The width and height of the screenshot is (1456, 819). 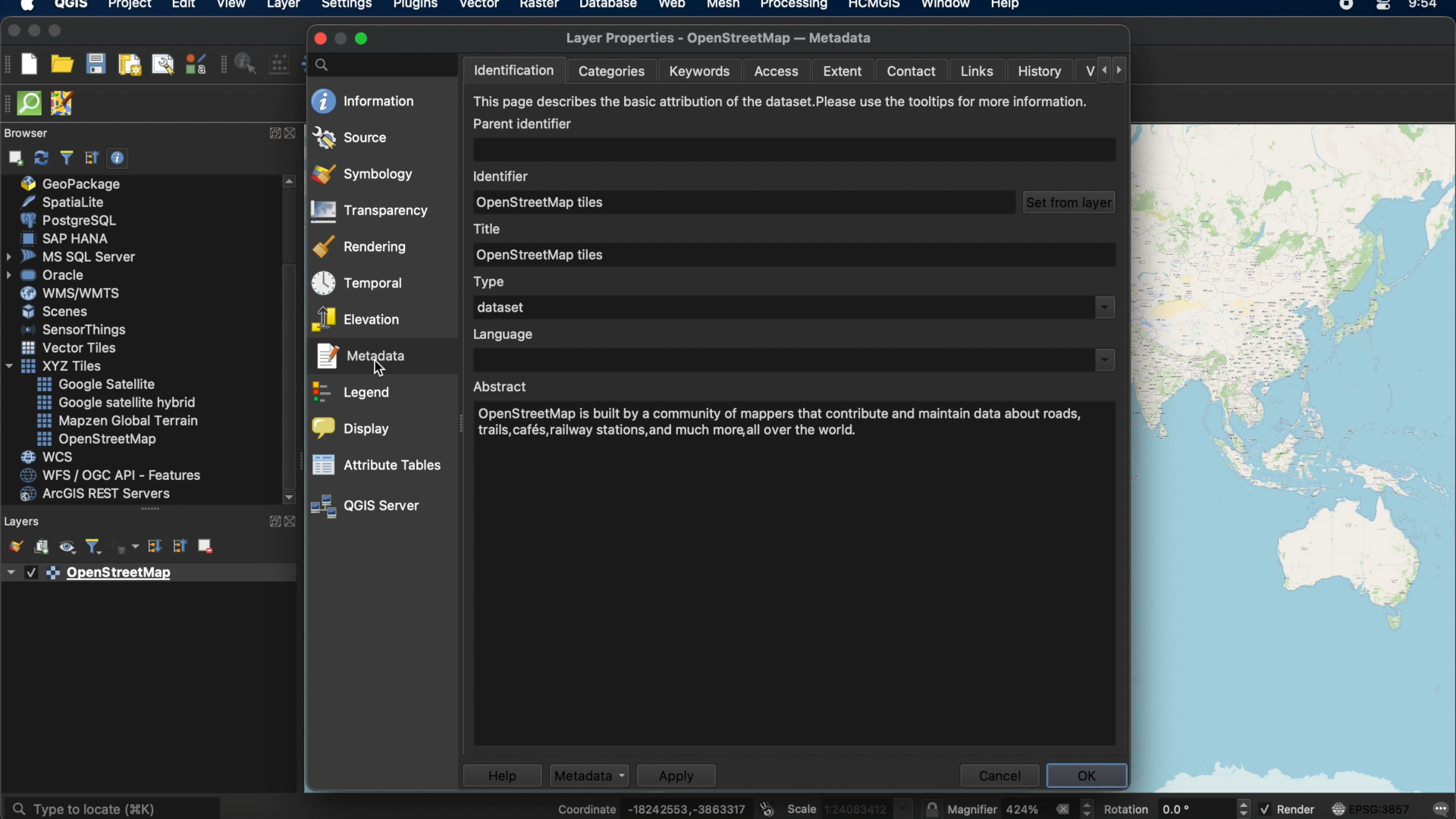 I want to click on toggle extents and mouse position display, so click(x=769, y=805).